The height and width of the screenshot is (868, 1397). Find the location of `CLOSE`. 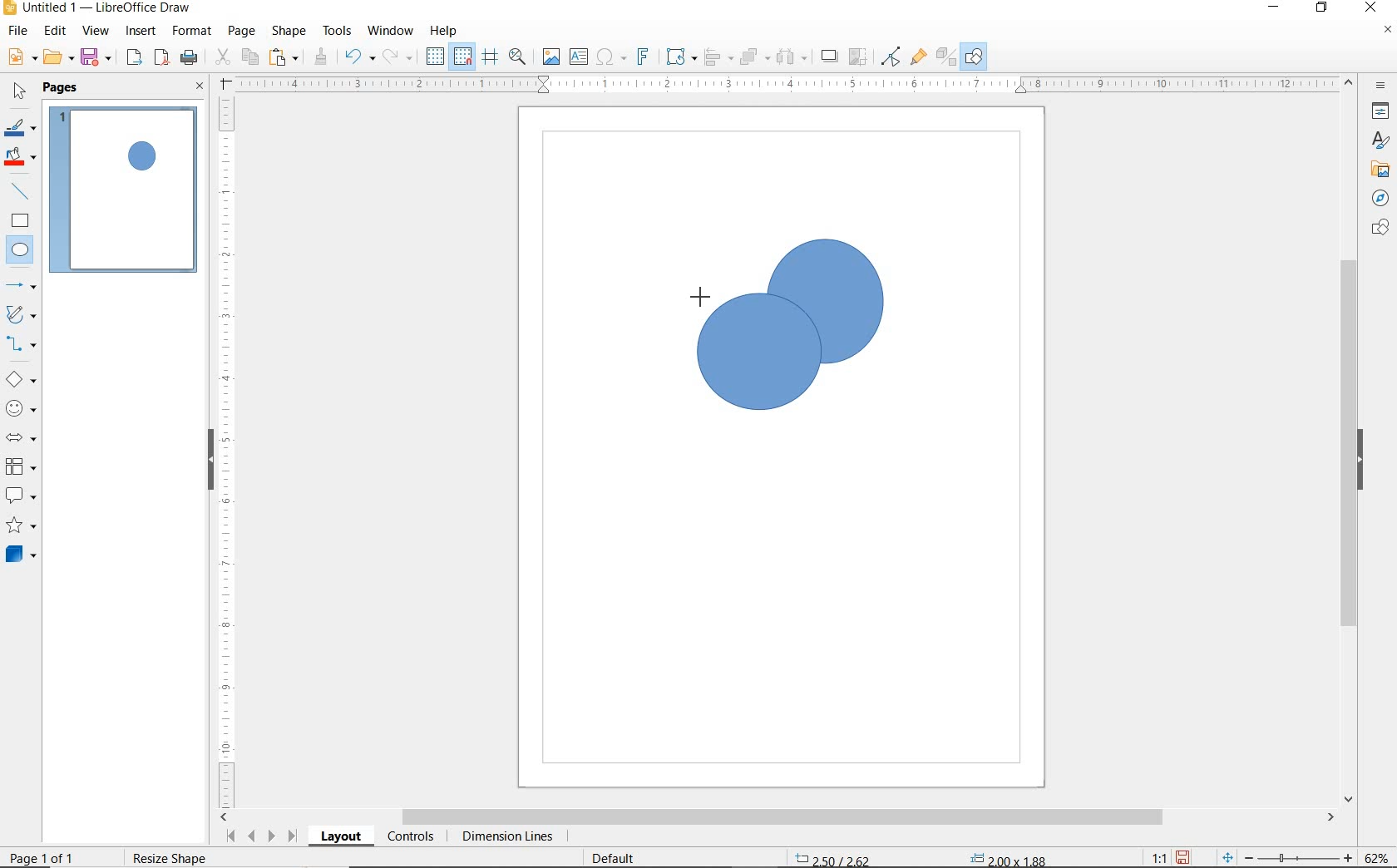

CLOSE is located at coordinates (1370, 6).